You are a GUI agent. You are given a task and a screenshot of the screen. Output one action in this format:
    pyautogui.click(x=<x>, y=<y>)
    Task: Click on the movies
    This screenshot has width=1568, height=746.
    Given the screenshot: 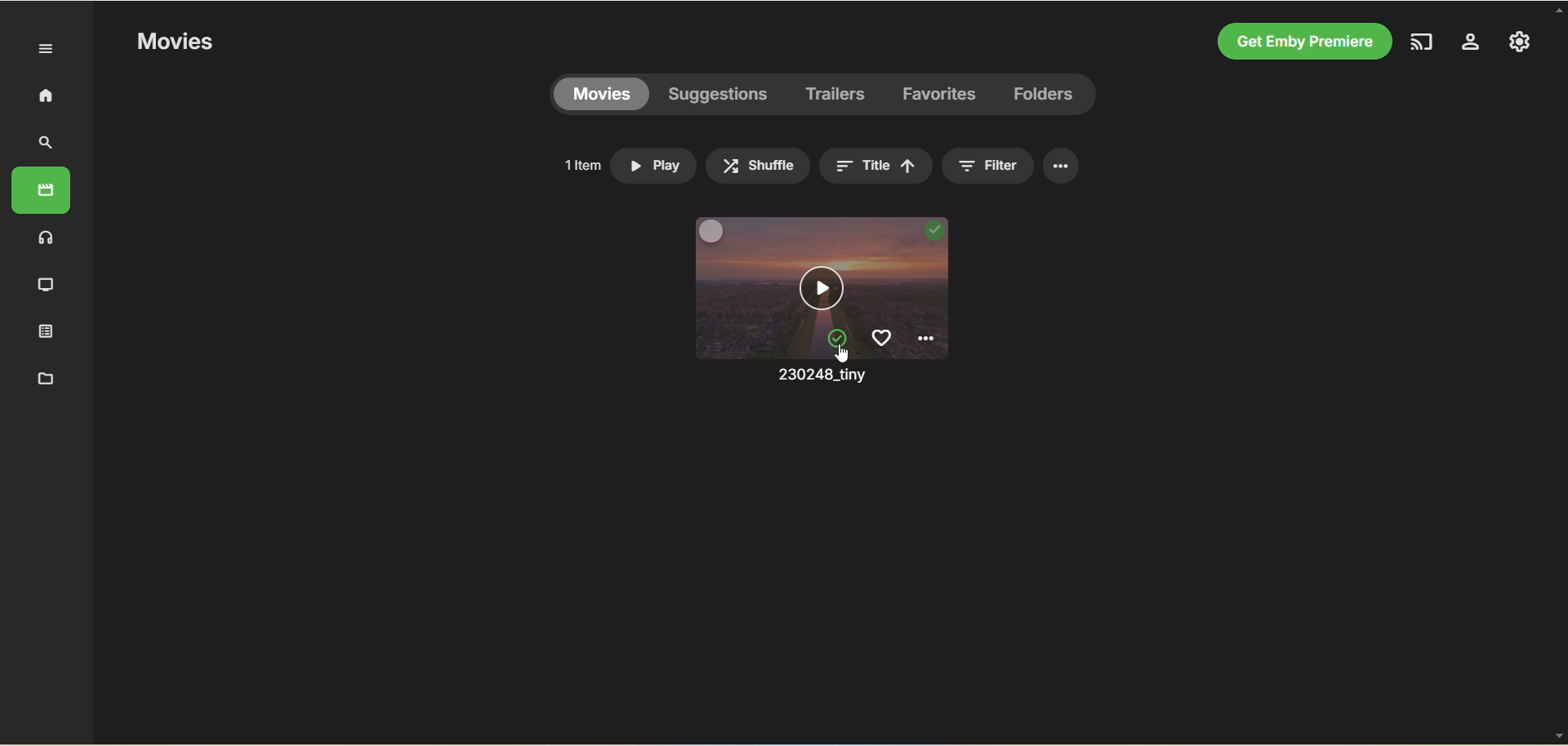 What is the action you would take?
    pyautogui.click(x=599, y=95)
    